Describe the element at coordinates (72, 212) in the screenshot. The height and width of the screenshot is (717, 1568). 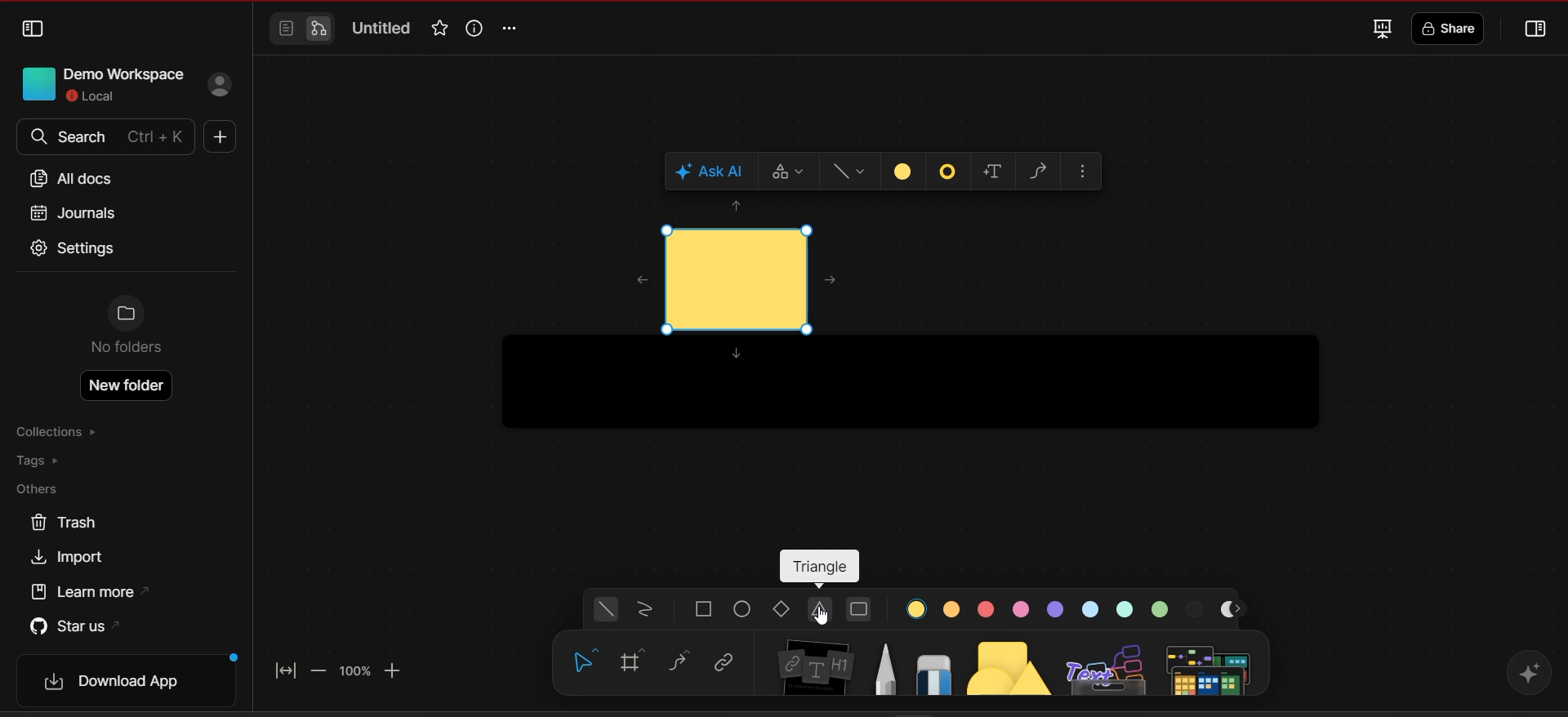
I see `journals` at that location.